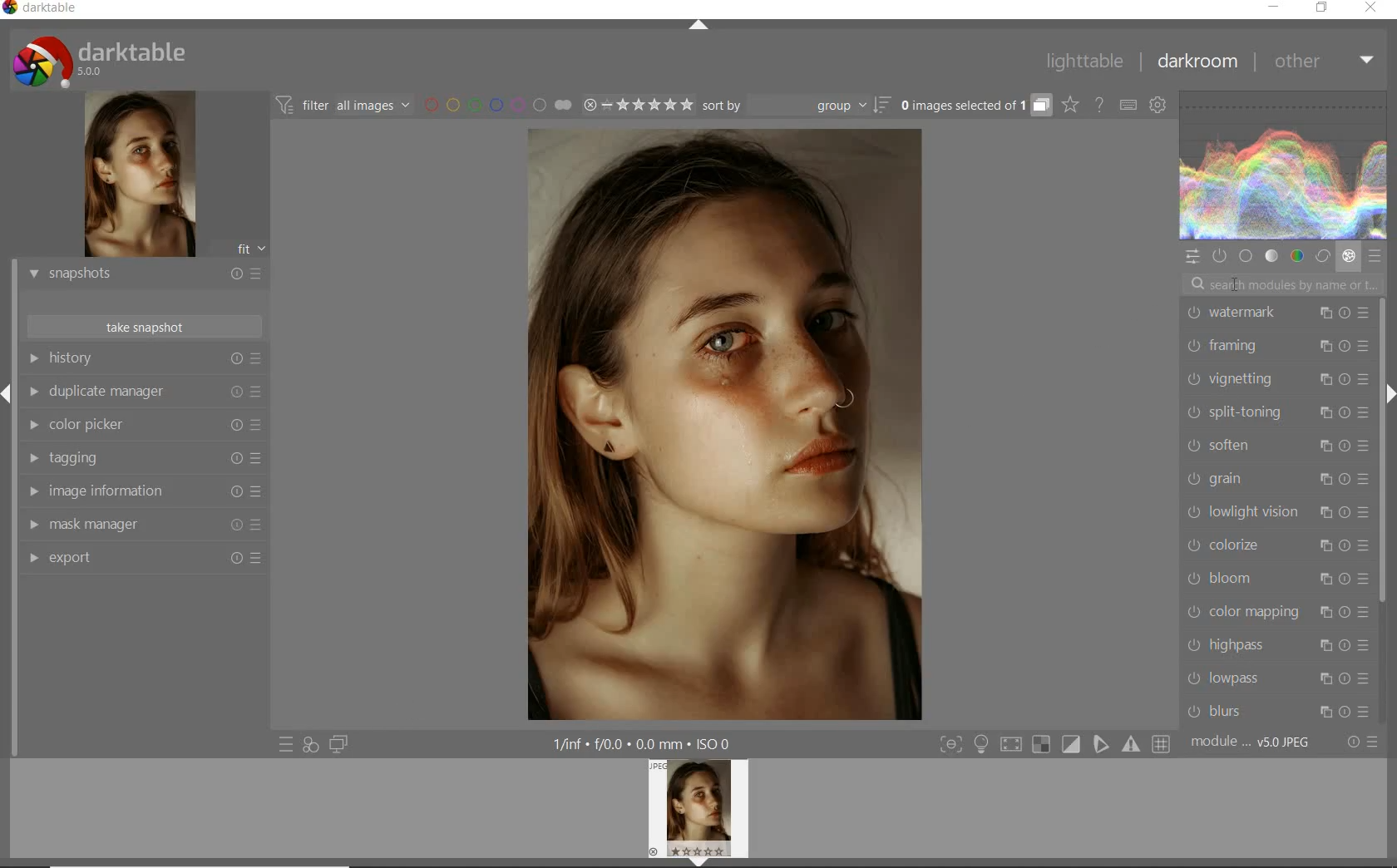 This screenshot has height=868, width=1397. Describe the element at coordinates (1275, 611) in the screenshot. I see `color mapping` at that location.